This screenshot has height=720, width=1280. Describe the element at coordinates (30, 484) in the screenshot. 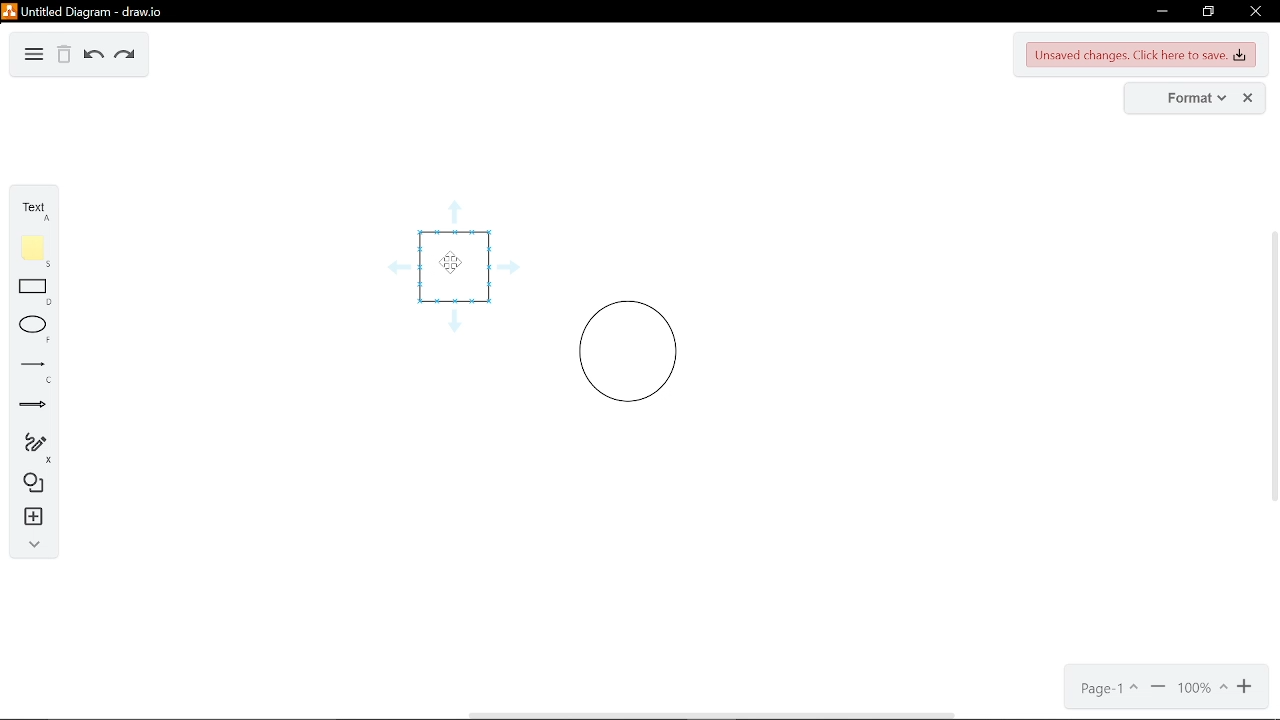

I see `shapes` at that location.